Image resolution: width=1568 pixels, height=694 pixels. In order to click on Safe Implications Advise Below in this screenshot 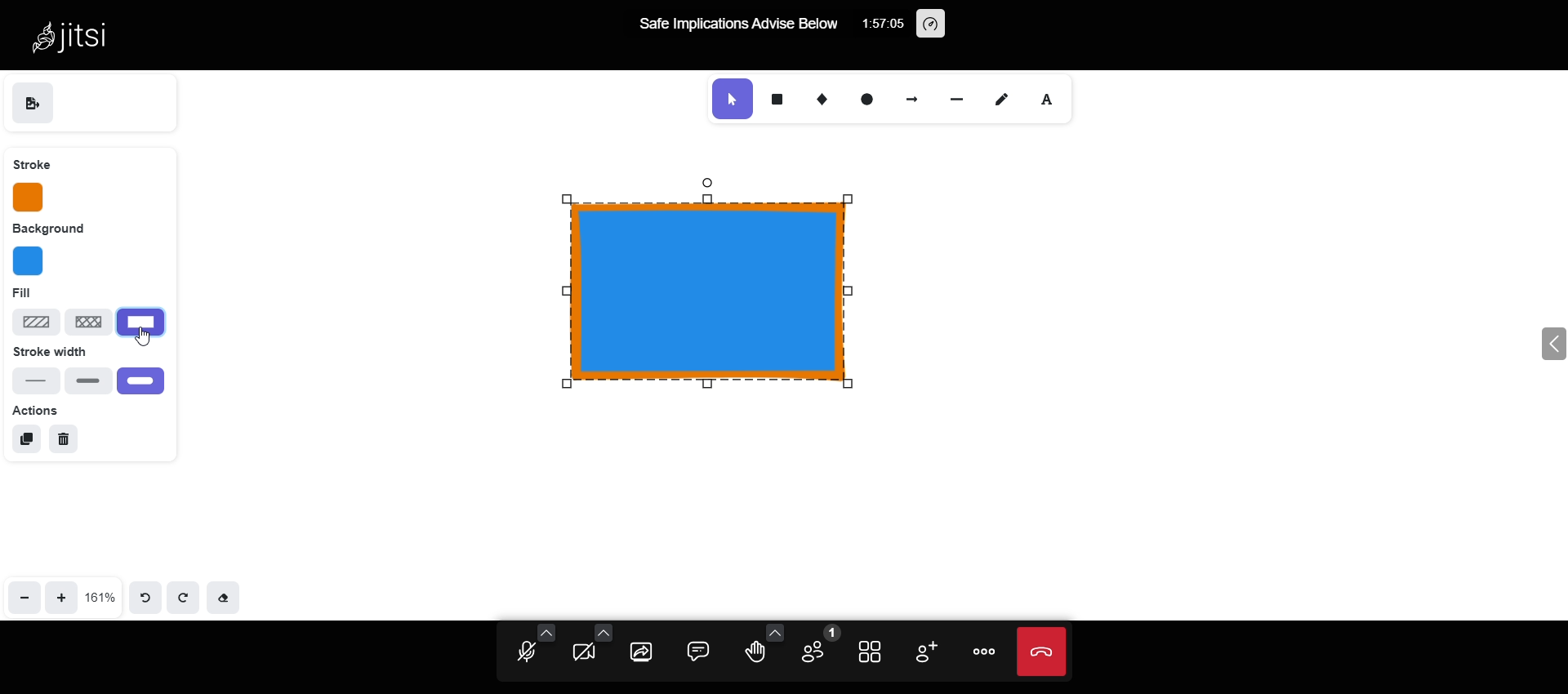, I will do `click(736, 26)`.